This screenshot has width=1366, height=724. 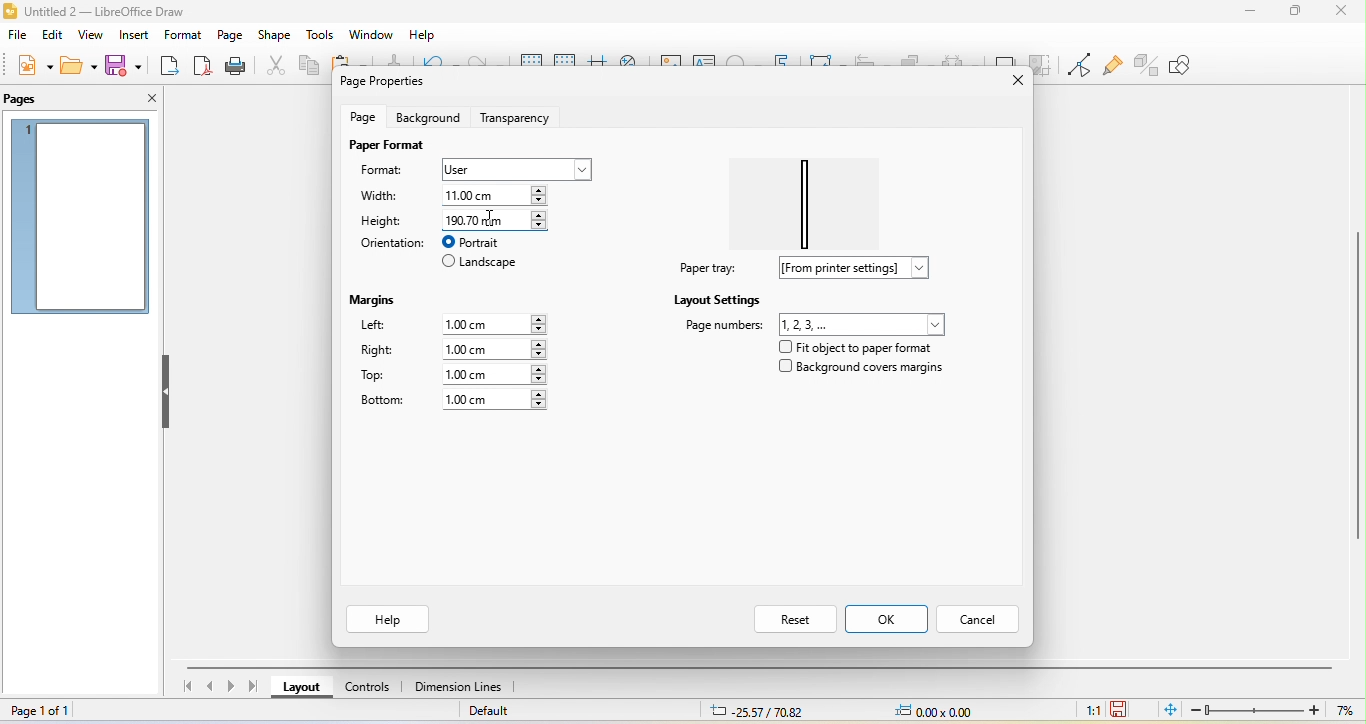 I want to click on page, so click(x=229, y=35).